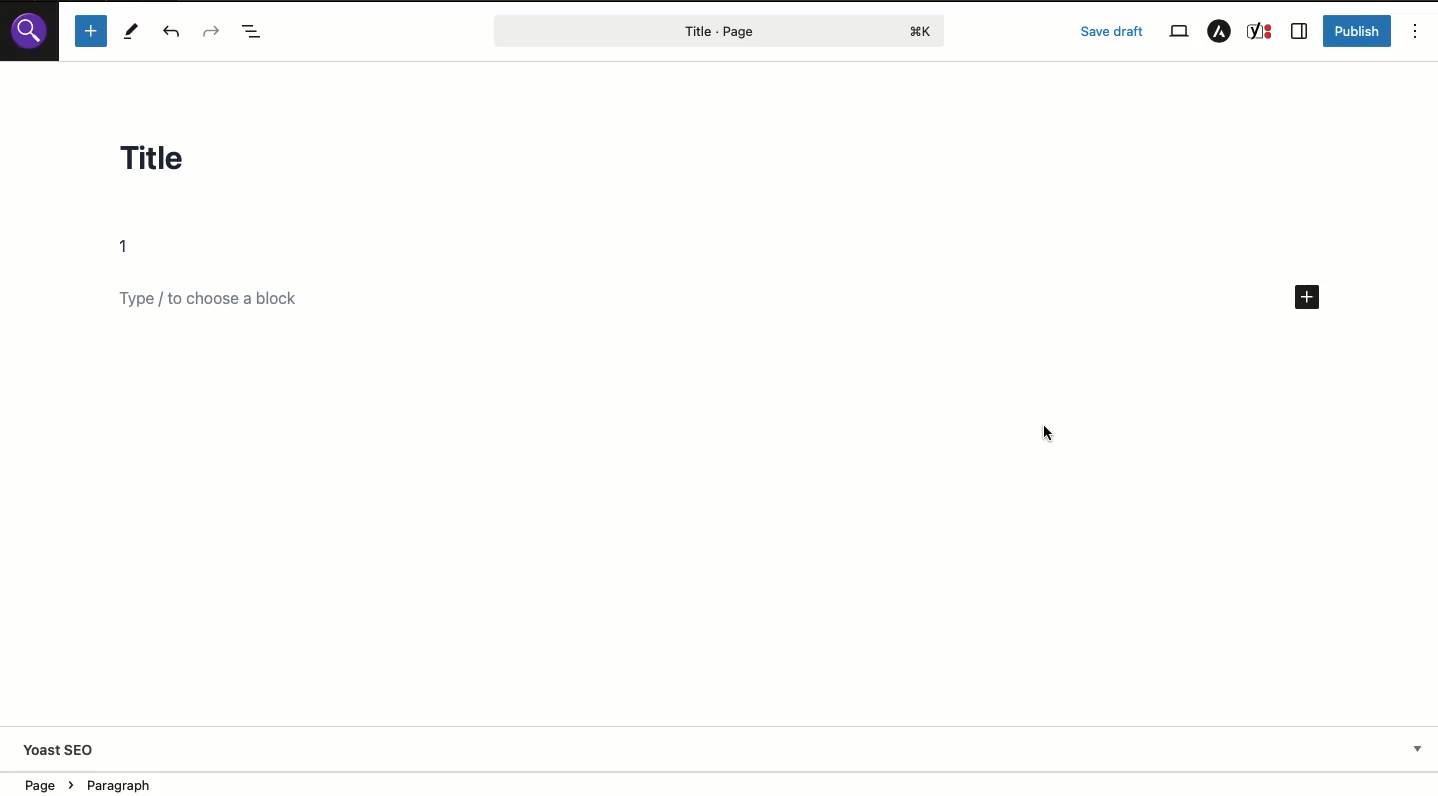  What do you see at coordinates (1299, 32) in the screenshot?
I see `Sidebar` at bounding box center [1299, 32].